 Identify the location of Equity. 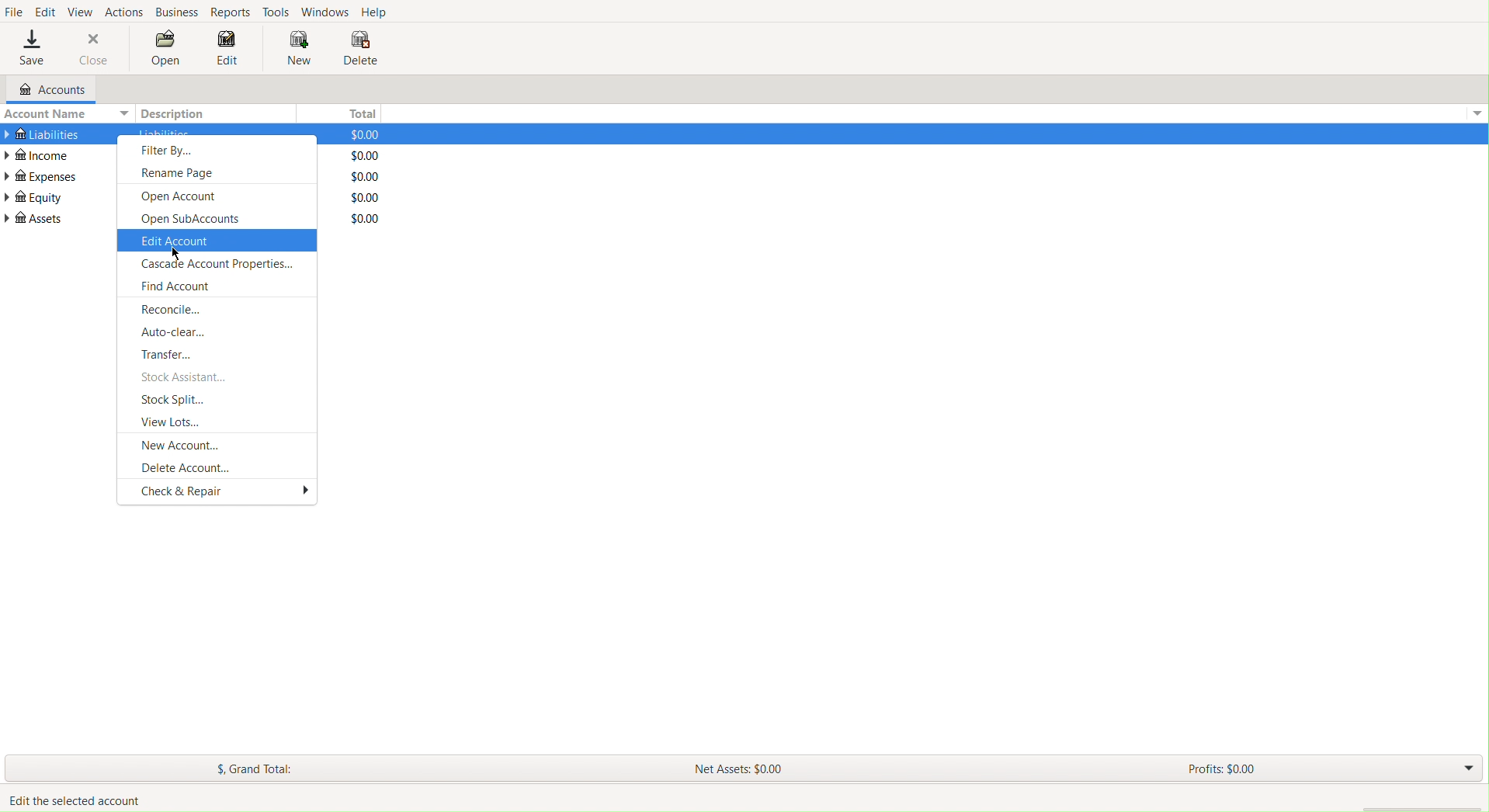
(33, 197).